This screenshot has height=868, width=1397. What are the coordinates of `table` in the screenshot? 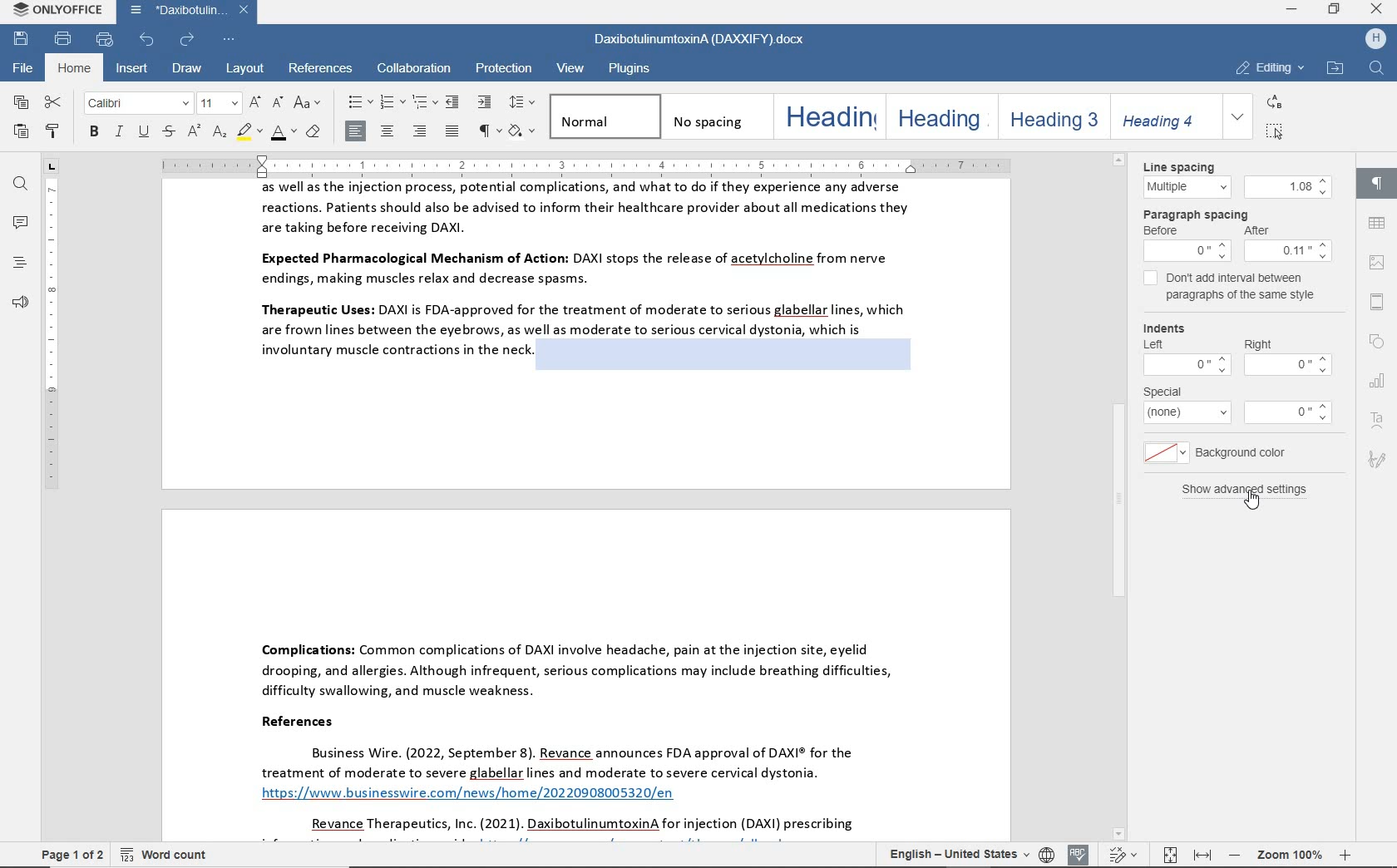 It's located at (1375, 224).